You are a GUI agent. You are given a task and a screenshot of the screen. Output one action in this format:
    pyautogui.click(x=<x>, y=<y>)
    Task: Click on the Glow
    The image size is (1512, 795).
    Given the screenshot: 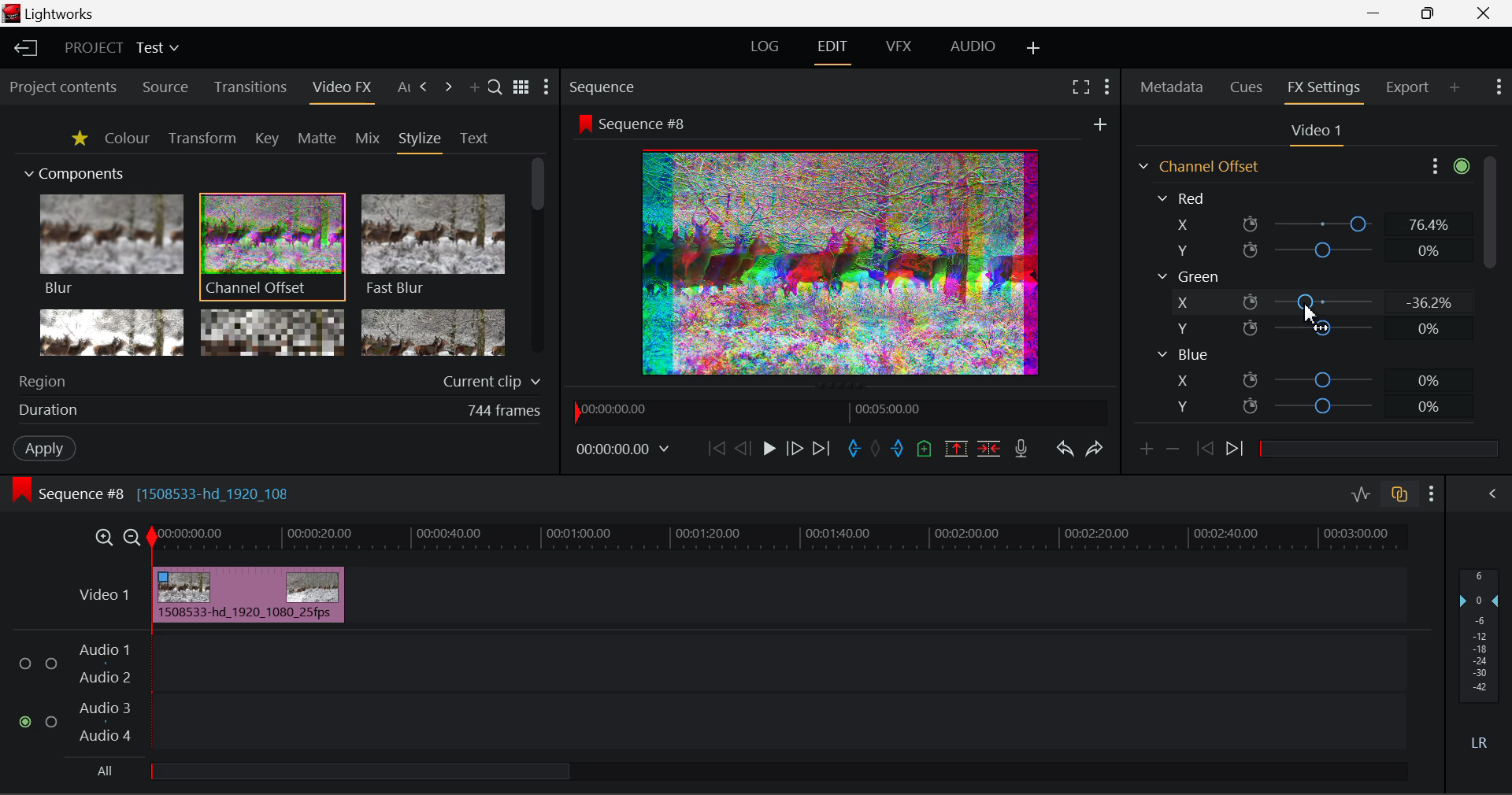 What is the action you would take?
    pyautogui.click(x=109, y=331)
    